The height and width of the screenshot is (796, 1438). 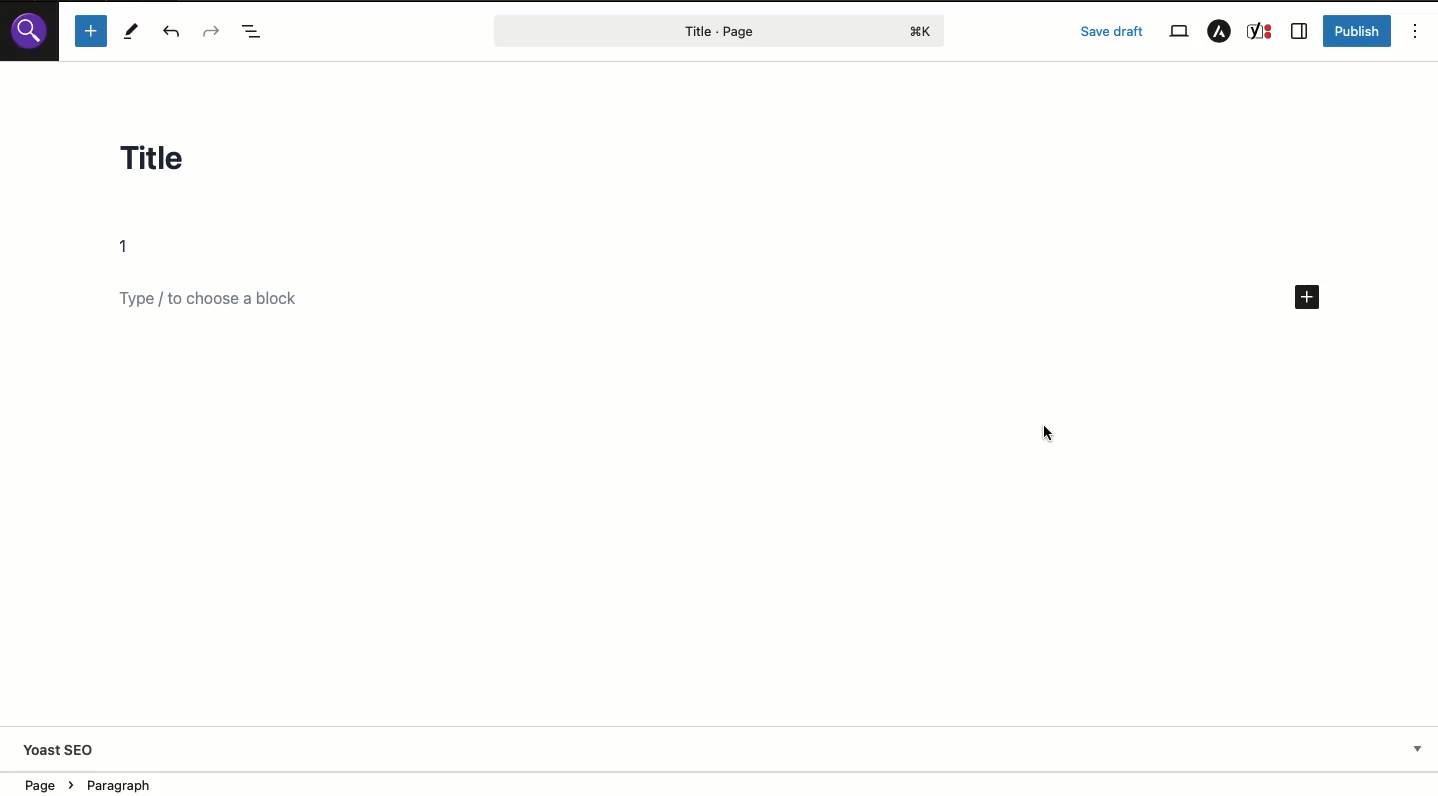 I want to click on Title, so click(x=171, y=163).